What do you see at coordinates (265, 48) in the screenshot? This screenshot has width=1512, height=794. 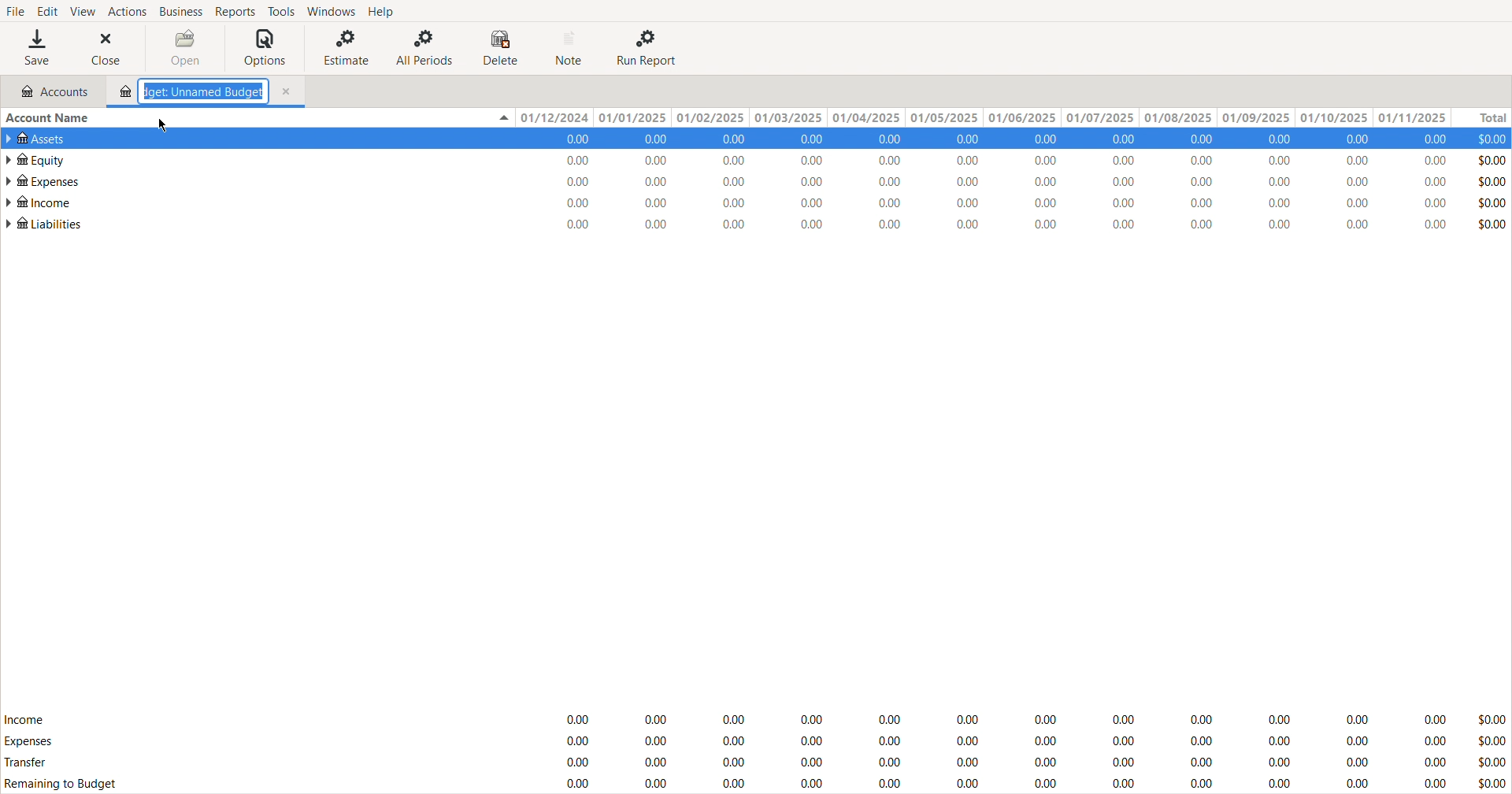 I see `Options` at bounding box center [265, 48].